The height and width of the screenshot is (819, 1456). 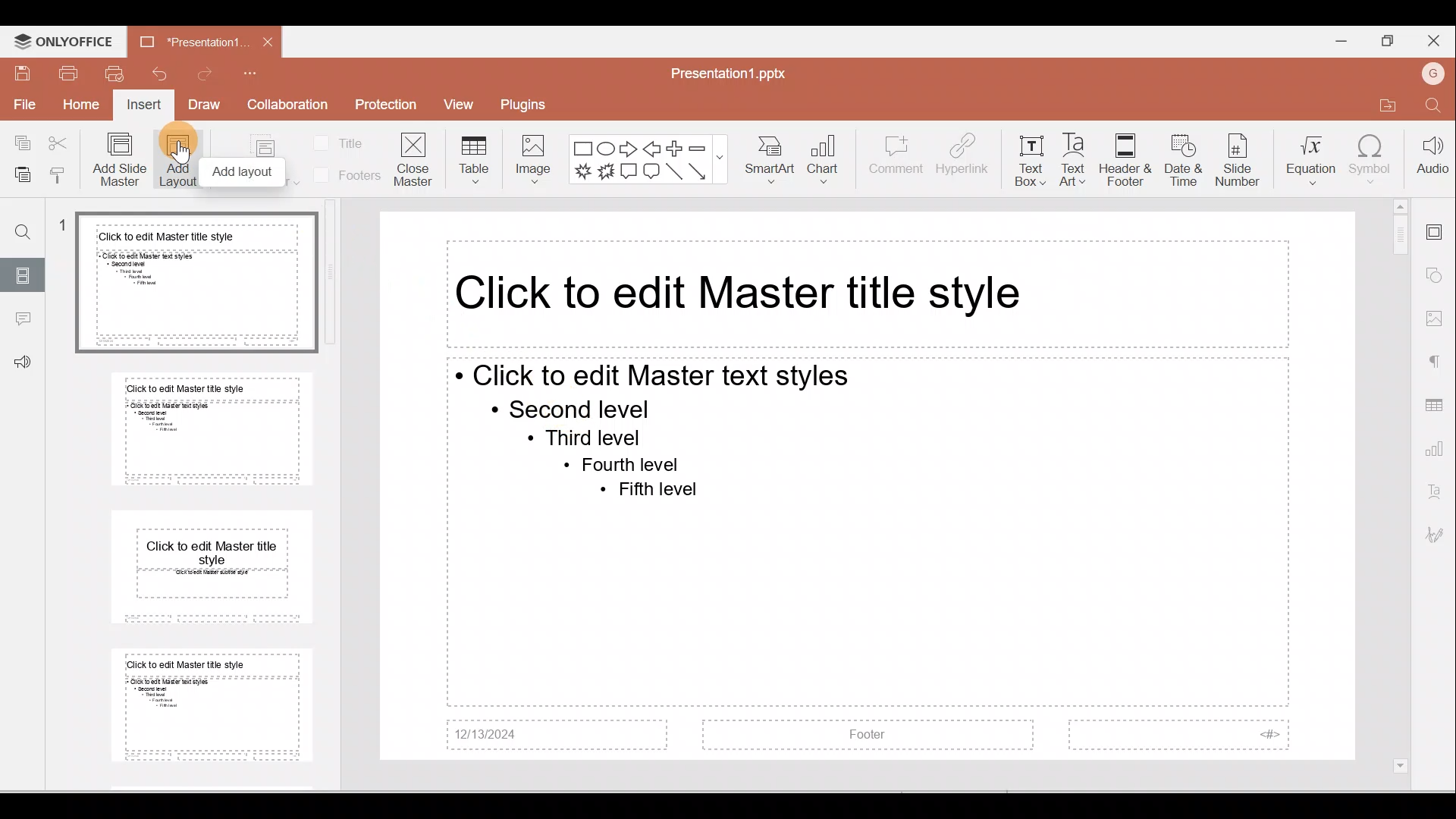 What do you see at coordinates (182, 152) in the screenshot?
I see `hand cursor` at bounding box center [182, 152].